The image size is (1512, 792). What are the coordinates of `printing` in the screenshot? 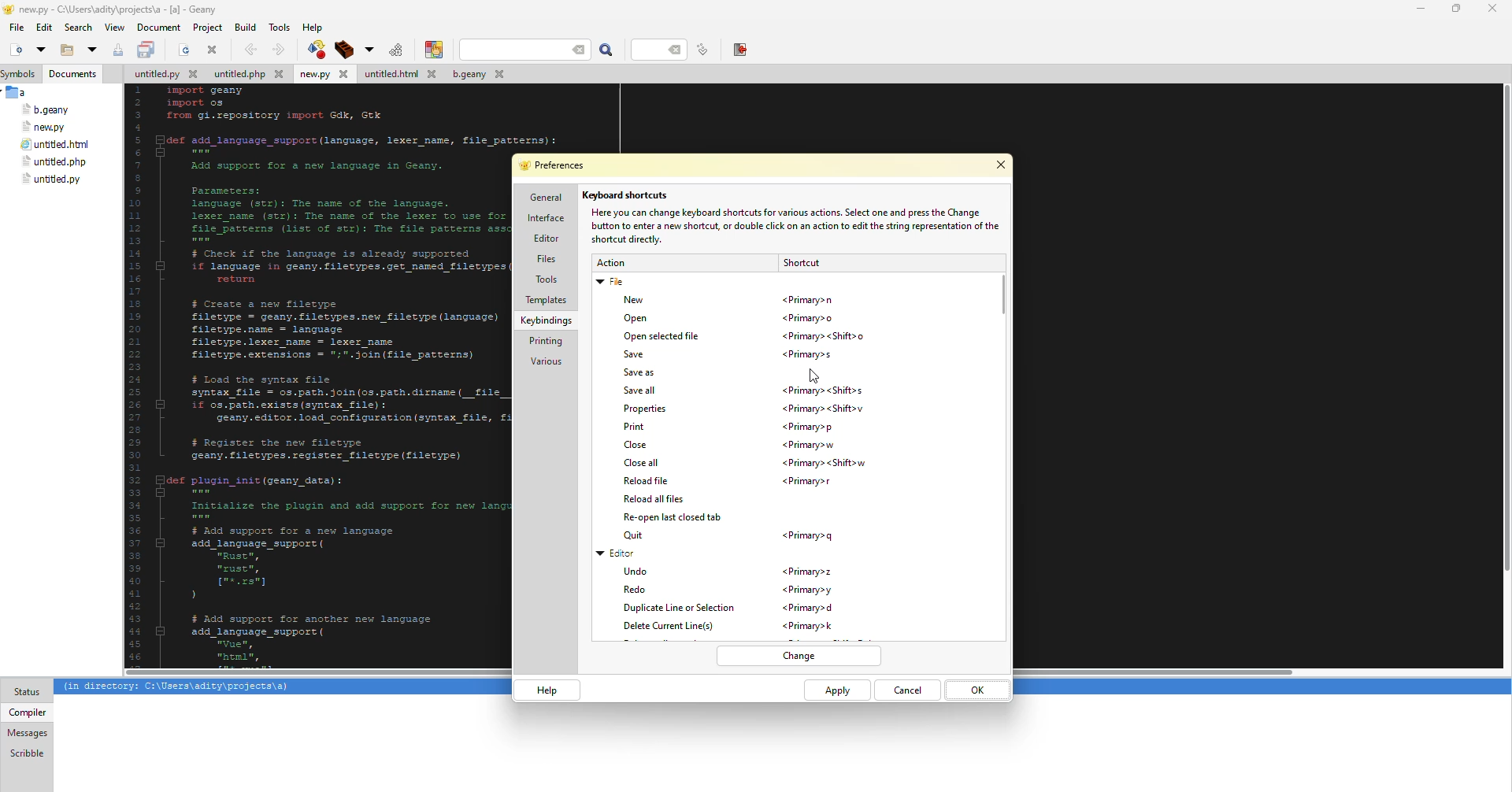 It's located at (543, 342).